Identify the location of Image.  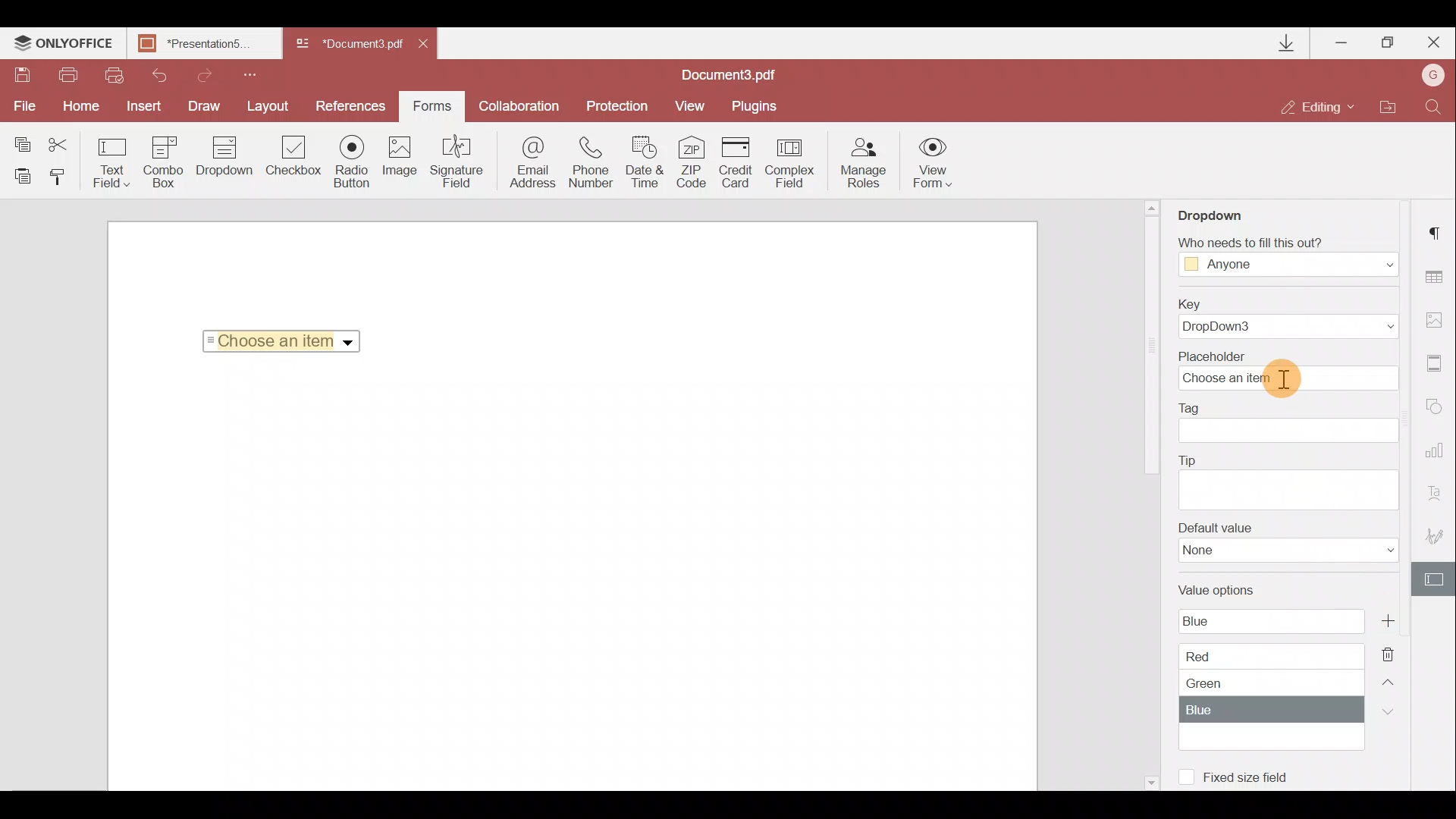
(403, 161).